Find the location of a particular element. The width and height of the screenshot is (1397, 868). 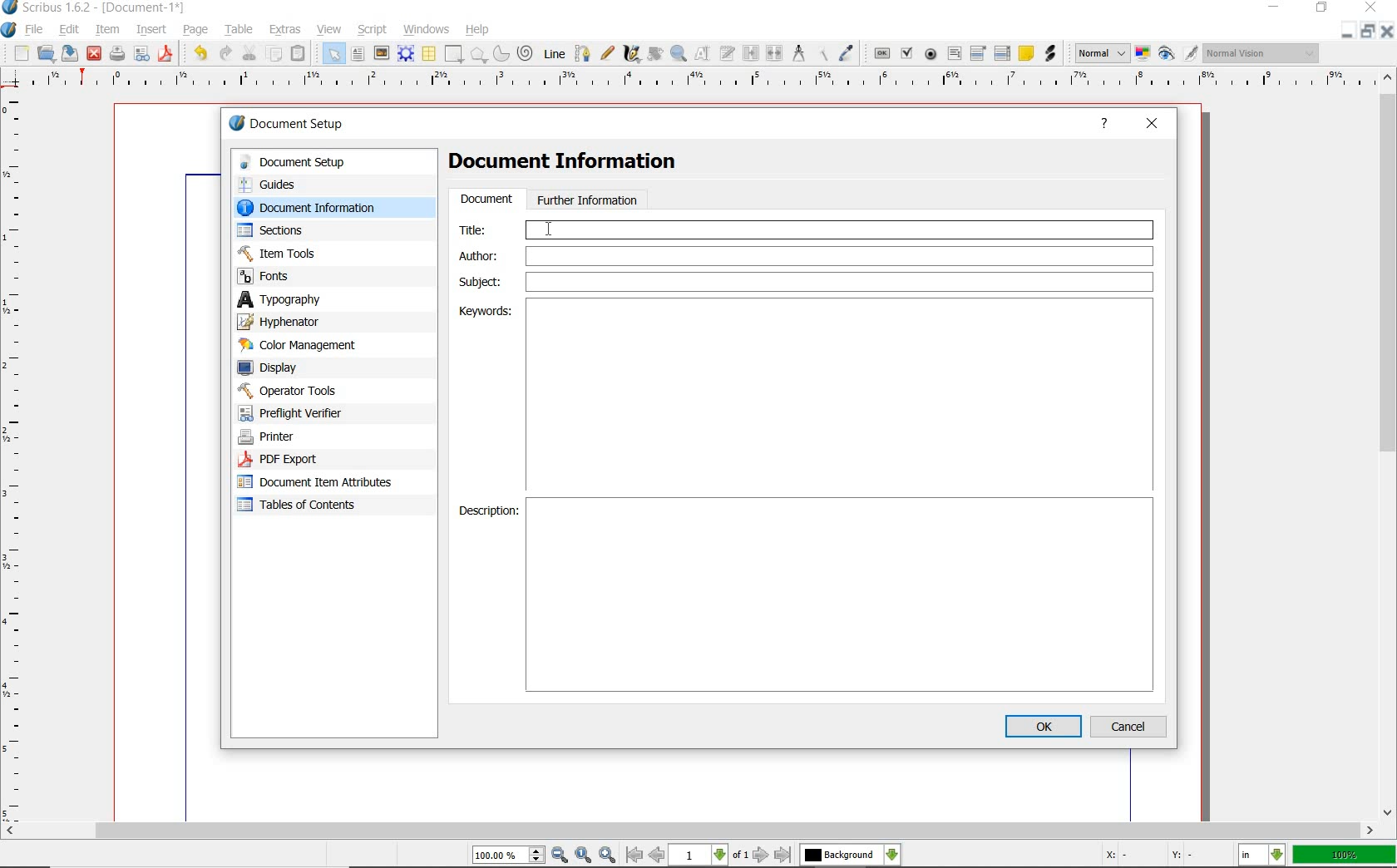

document is located at coordinates (486, 200).